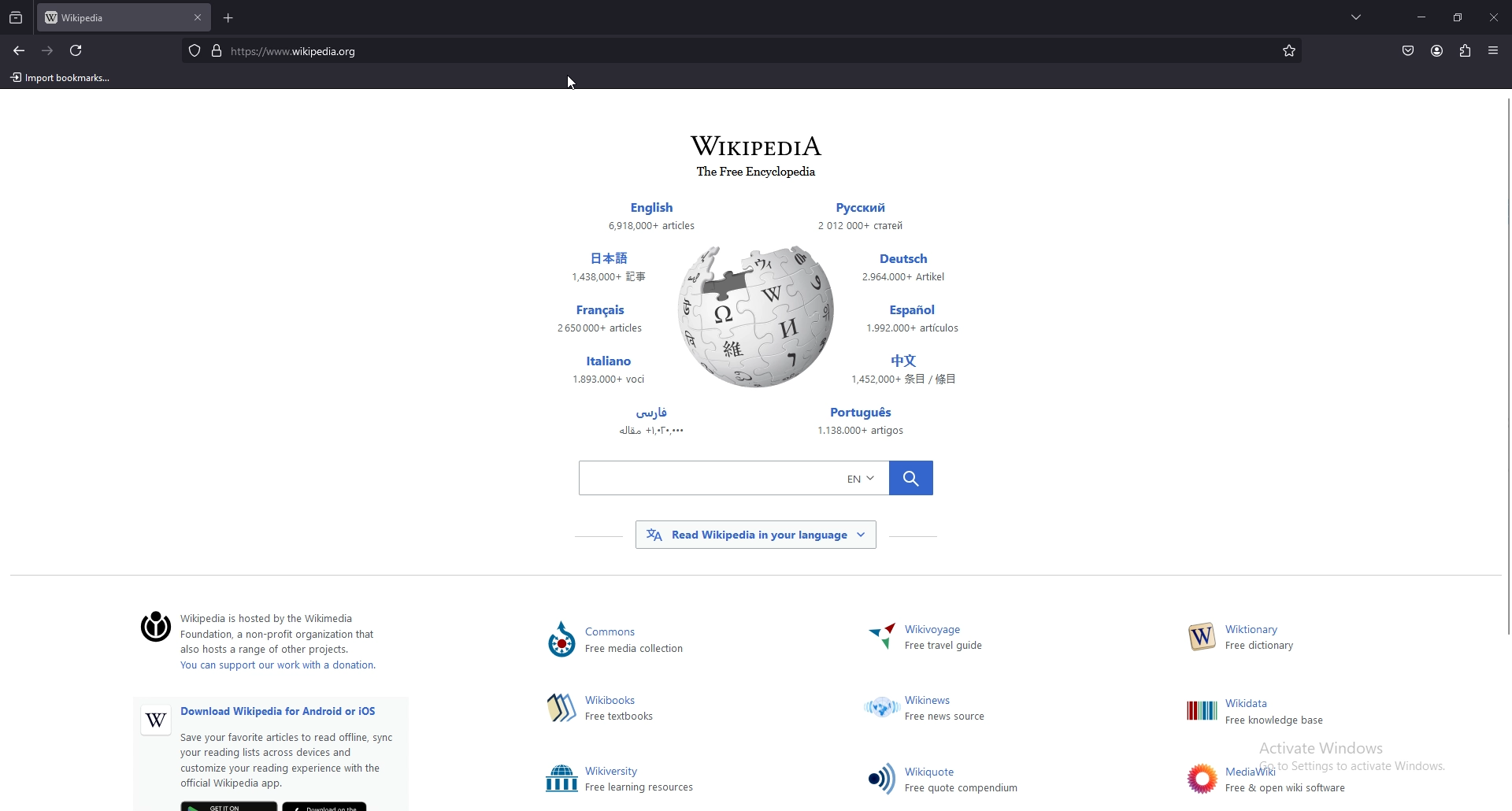 Image resolution: width=1512 pixels, height=811 pixels. I want to click on , so click(755, 535).